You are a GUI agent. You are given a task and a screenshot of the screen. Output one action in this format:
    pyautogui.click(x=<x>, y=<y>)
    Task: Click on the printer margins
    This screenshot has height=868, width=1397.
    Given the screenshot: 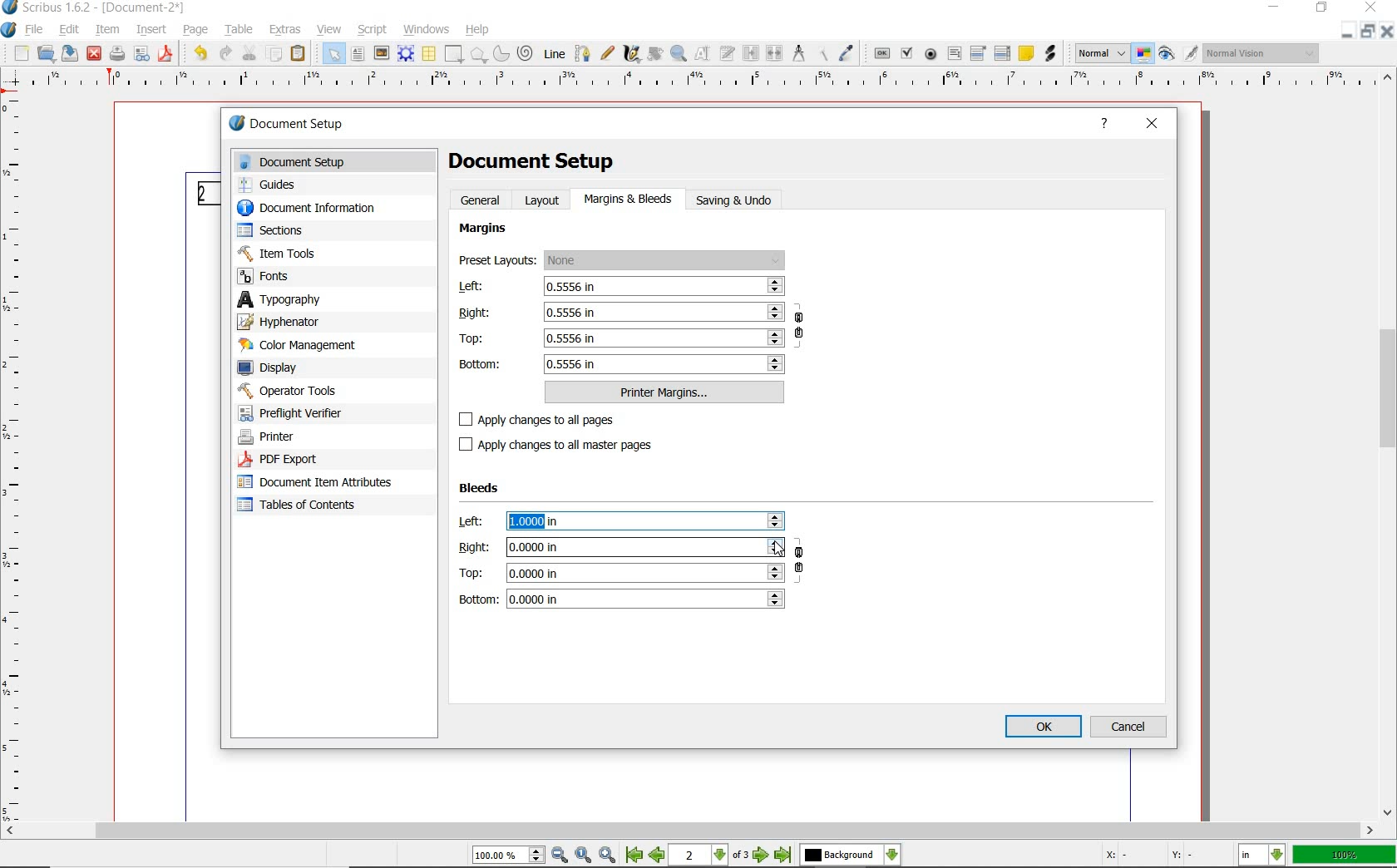 What is the action you would take?
    pyautogui.click(x=665, y=392)
    